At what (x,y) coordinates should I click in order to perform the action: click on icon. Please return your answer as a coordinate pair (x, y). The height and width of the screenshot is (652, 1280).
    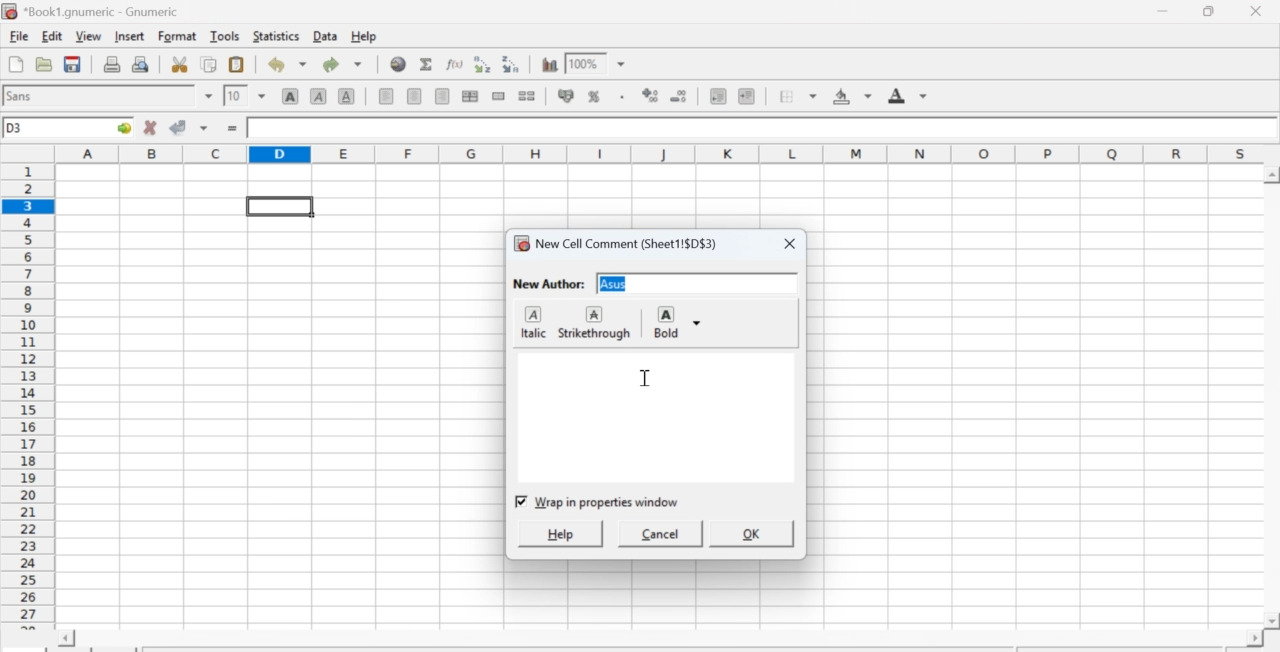
    Looking at the image, I should click on (522, 244).